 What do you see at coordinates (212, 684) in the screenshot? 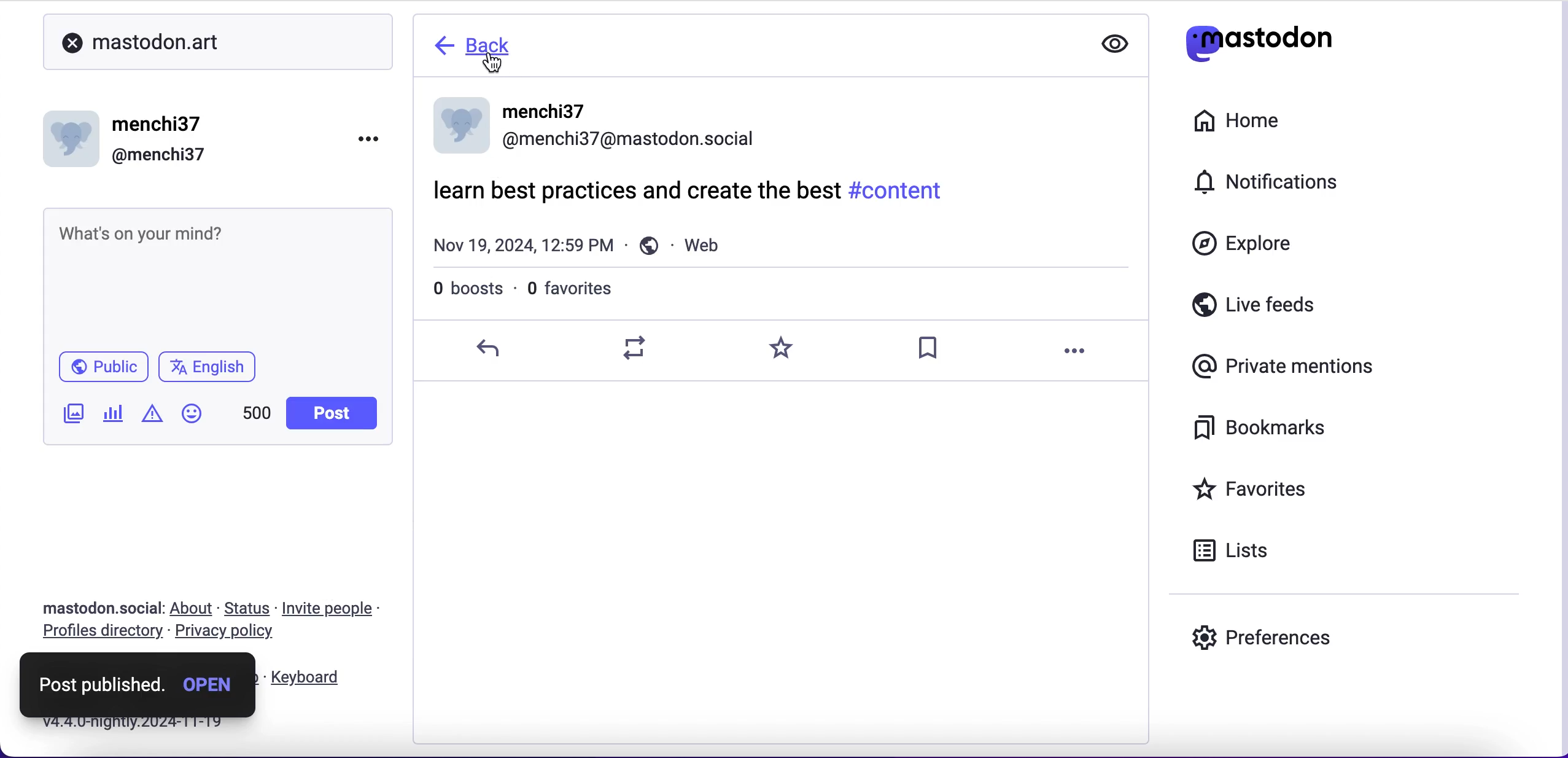
I see `open` at bounding box center [212, 684].